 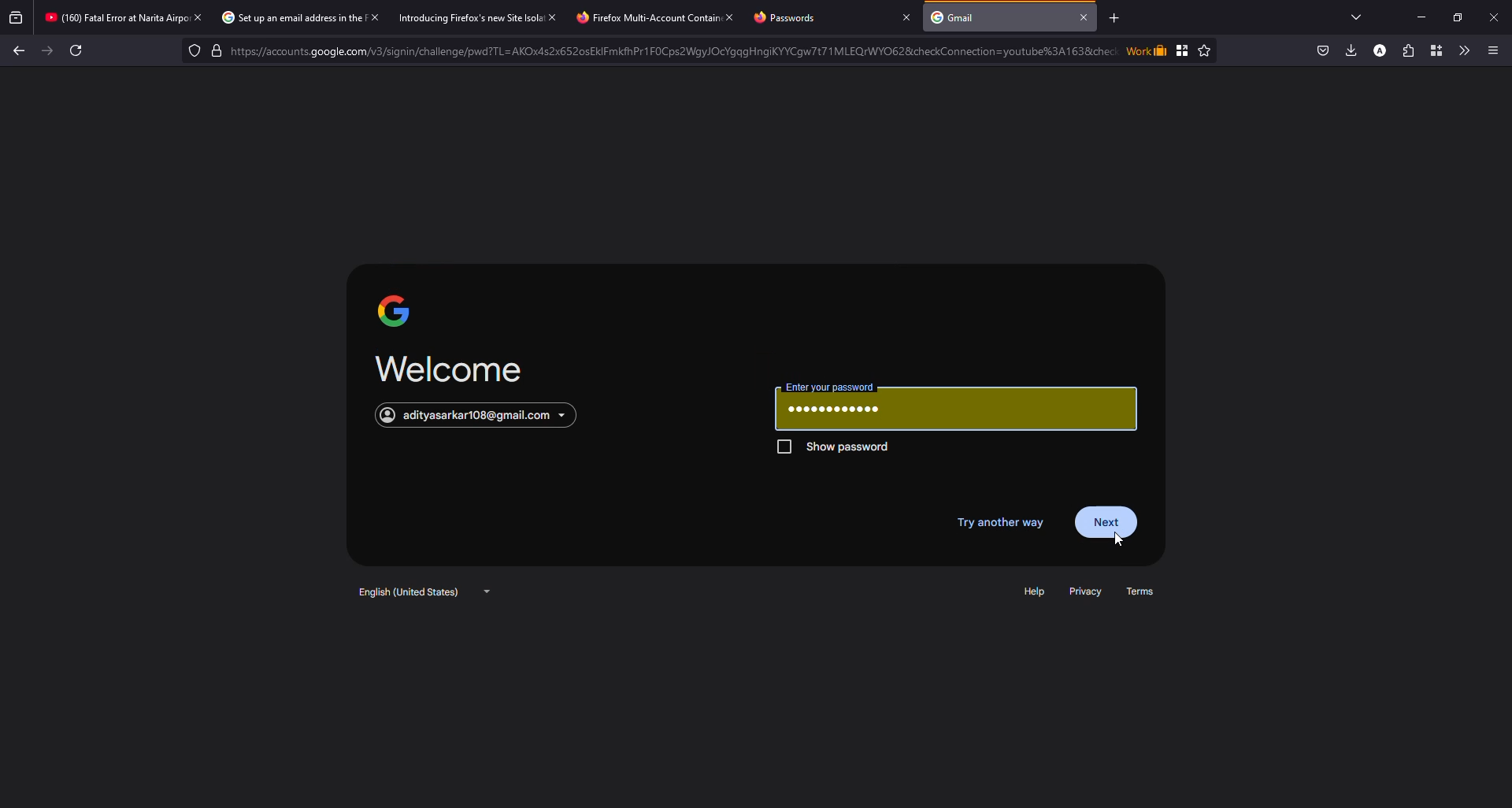 I want to click on close, so click(x=1495, y=15).